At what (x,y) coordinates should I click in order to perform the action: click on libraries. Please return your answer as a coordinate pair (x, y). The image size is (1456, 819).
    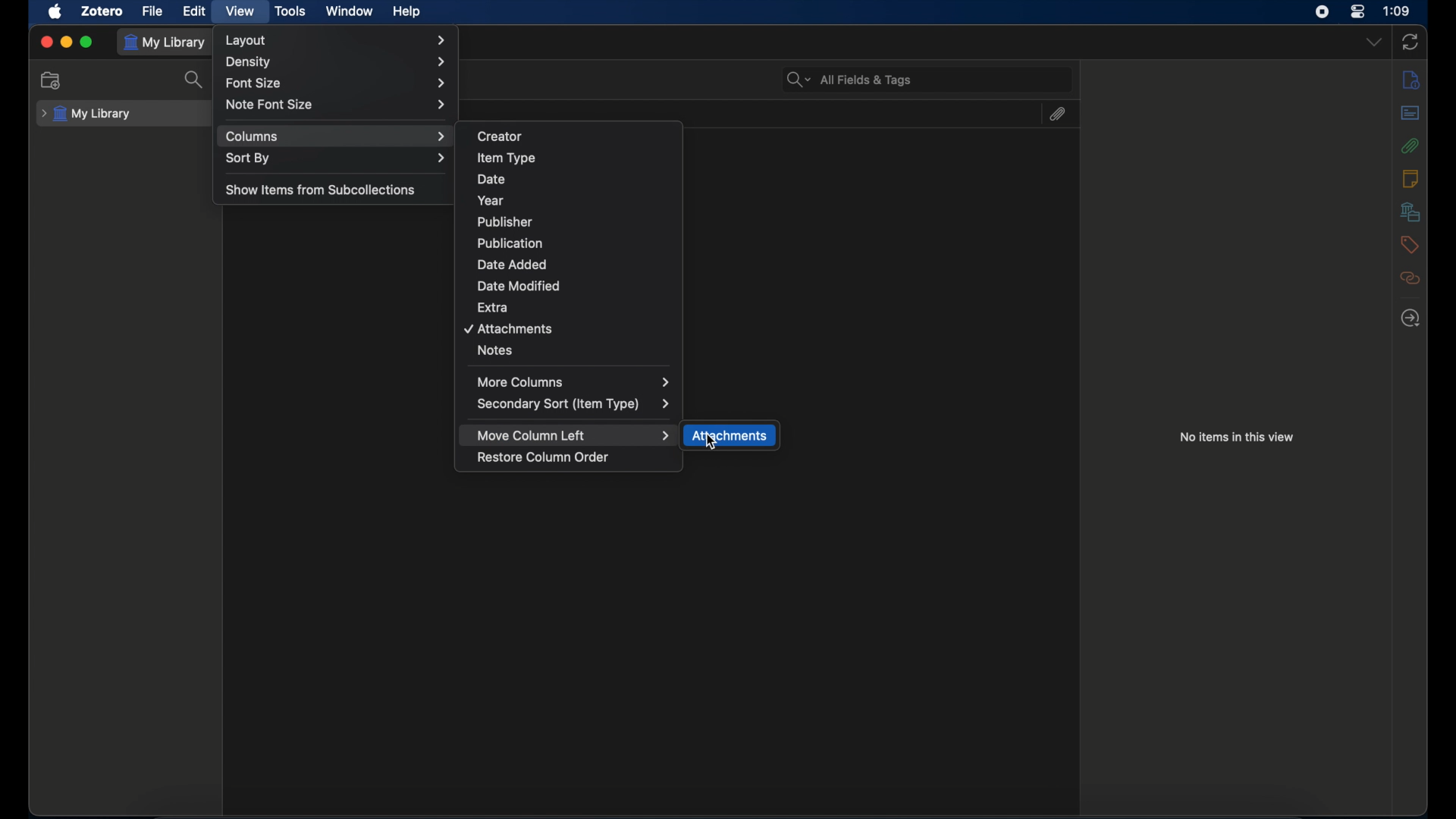
    Looking at the image, I should click on (1410, 212).